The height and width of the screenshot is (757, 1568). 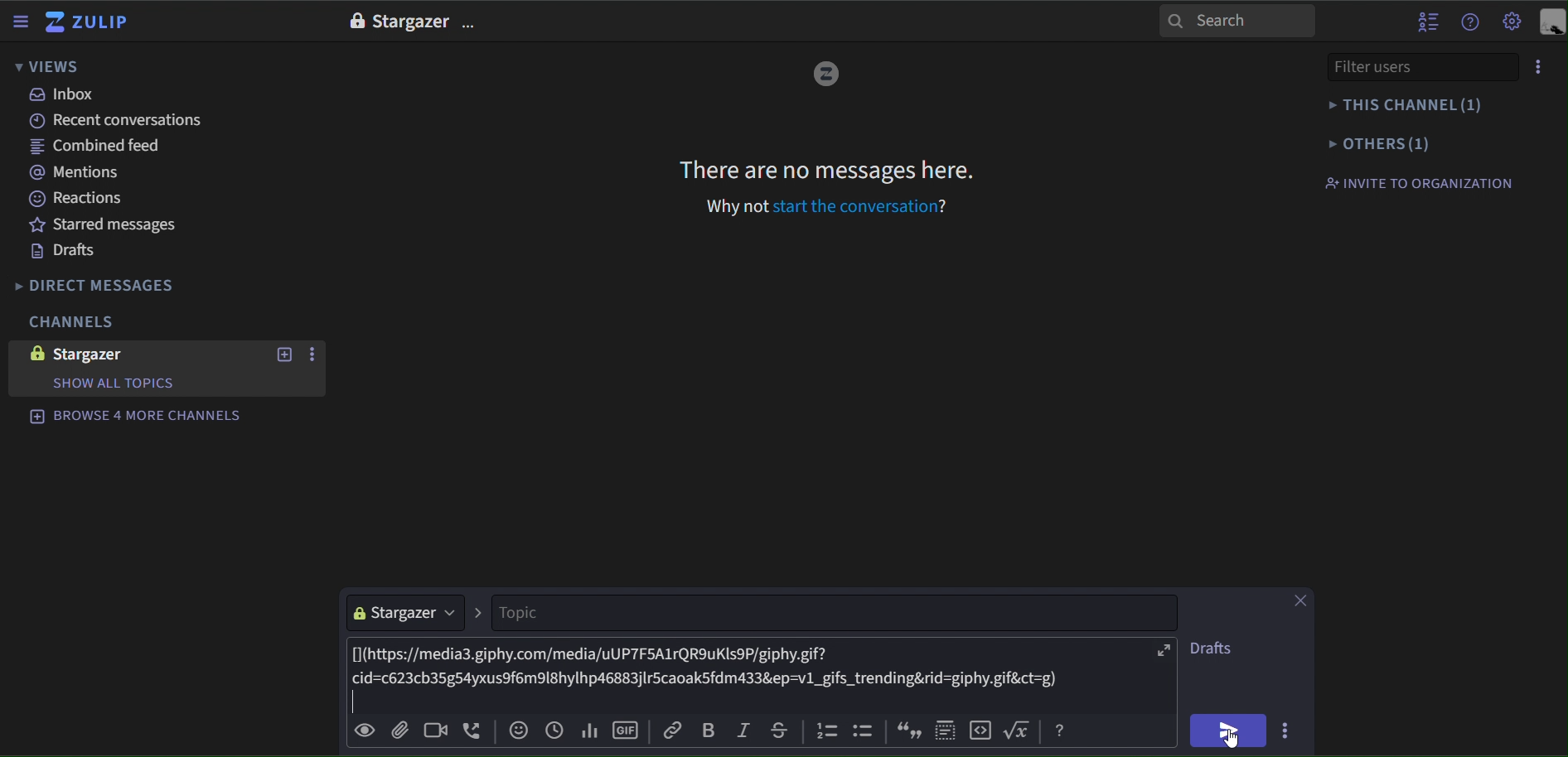 I want to click on views, so click(x=48, y=68).